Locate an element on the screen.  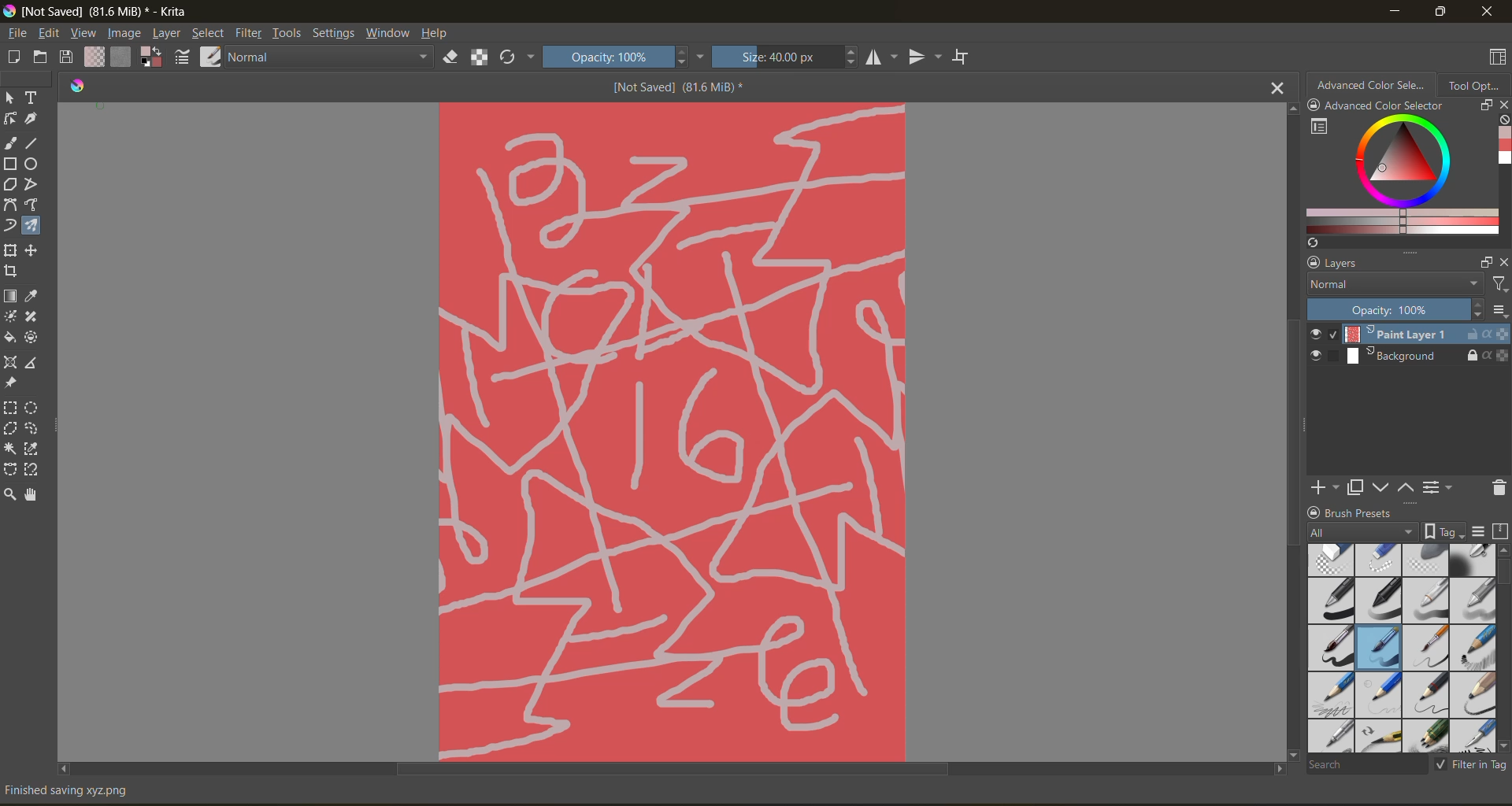
tool options is located at coordinates (1475, 84).